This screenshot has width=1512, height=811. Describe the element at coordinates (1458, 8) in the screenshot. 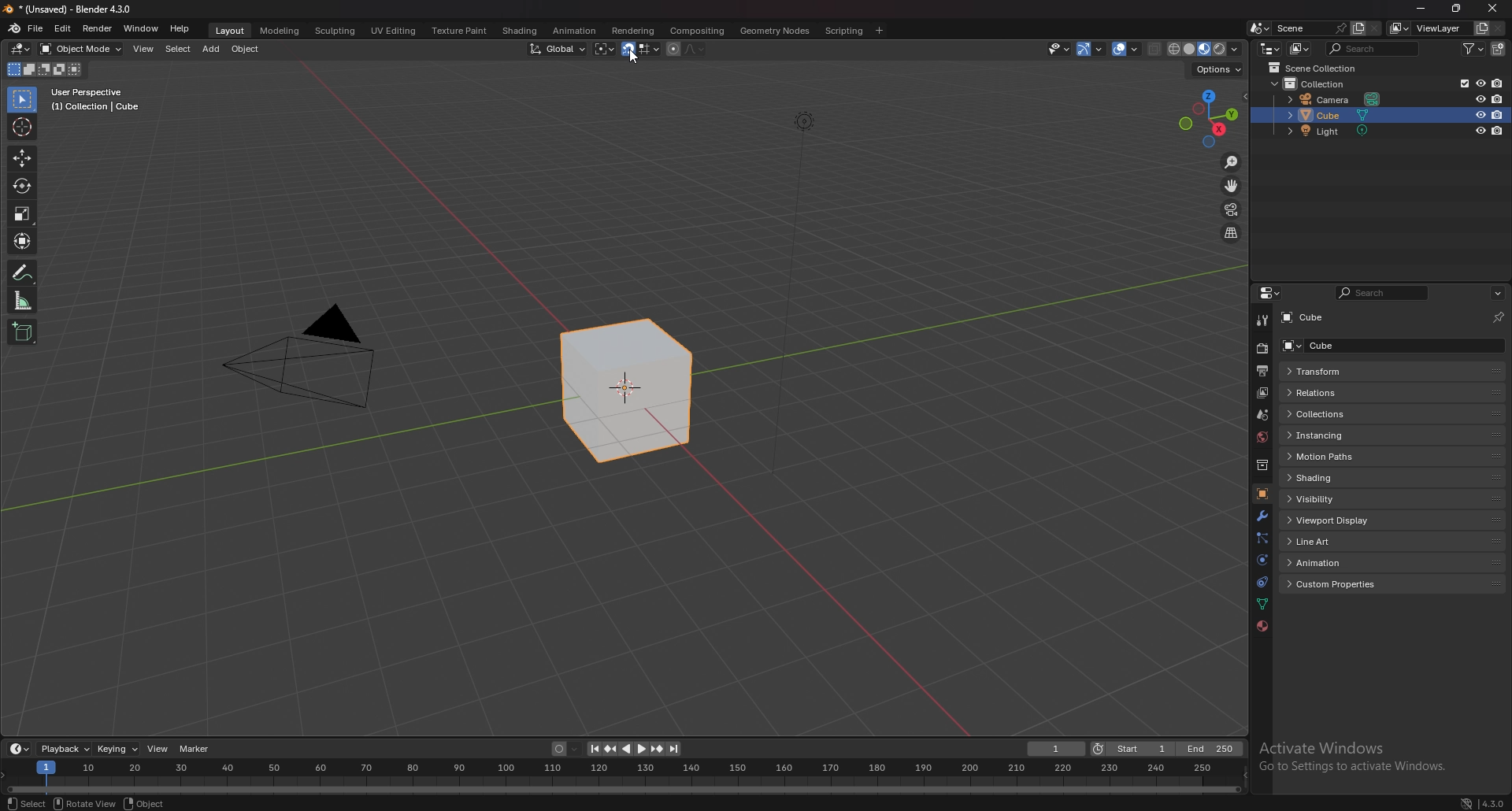

I see `resize` at that location.